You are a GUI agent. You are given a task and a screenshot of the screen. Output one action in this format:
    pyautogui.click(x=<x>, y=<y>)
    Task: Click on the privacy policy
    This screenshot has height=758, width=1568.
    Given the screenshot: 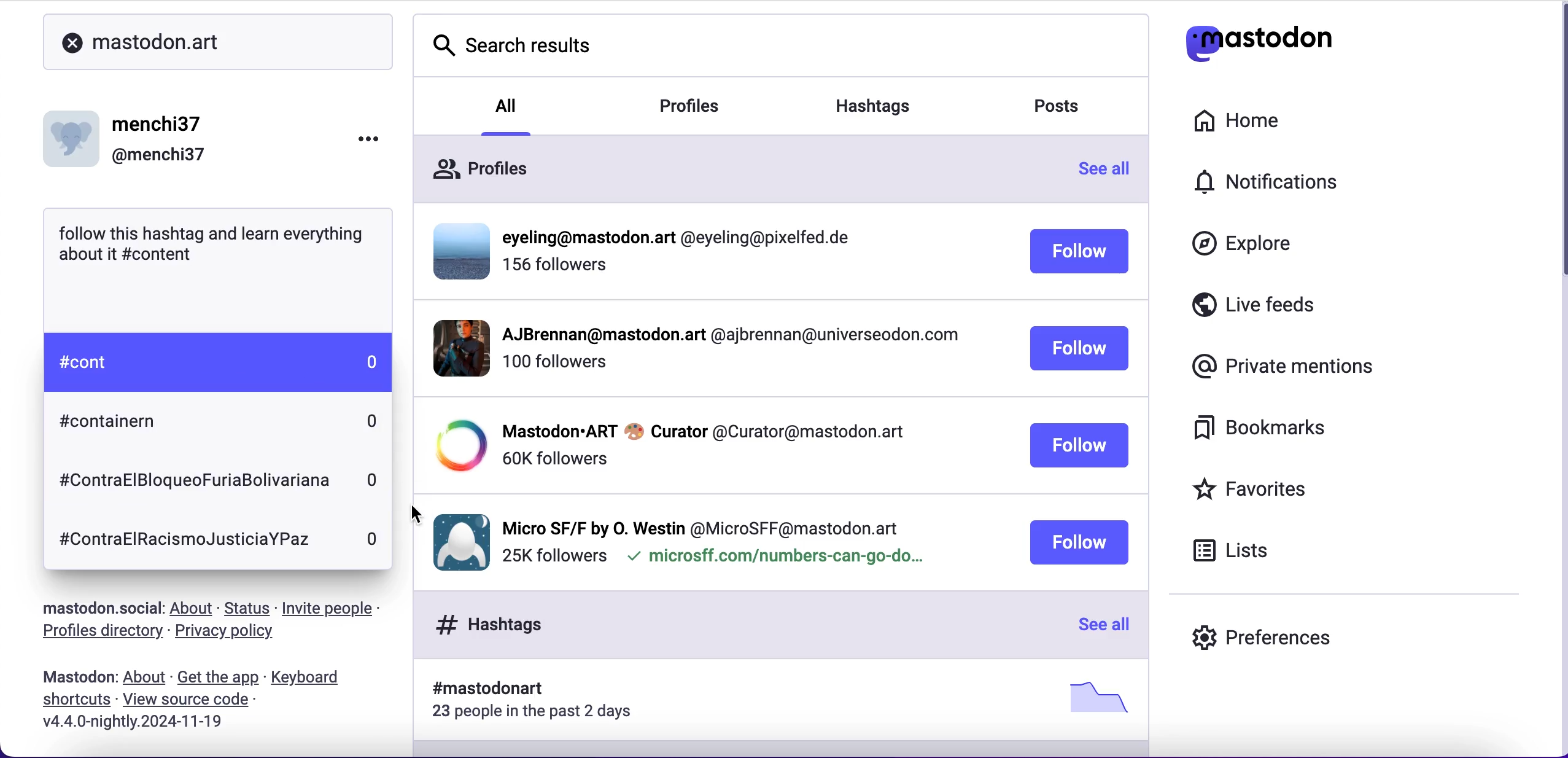 What is the action you would take?
    pyautogui.click(x=230, y=634)
    